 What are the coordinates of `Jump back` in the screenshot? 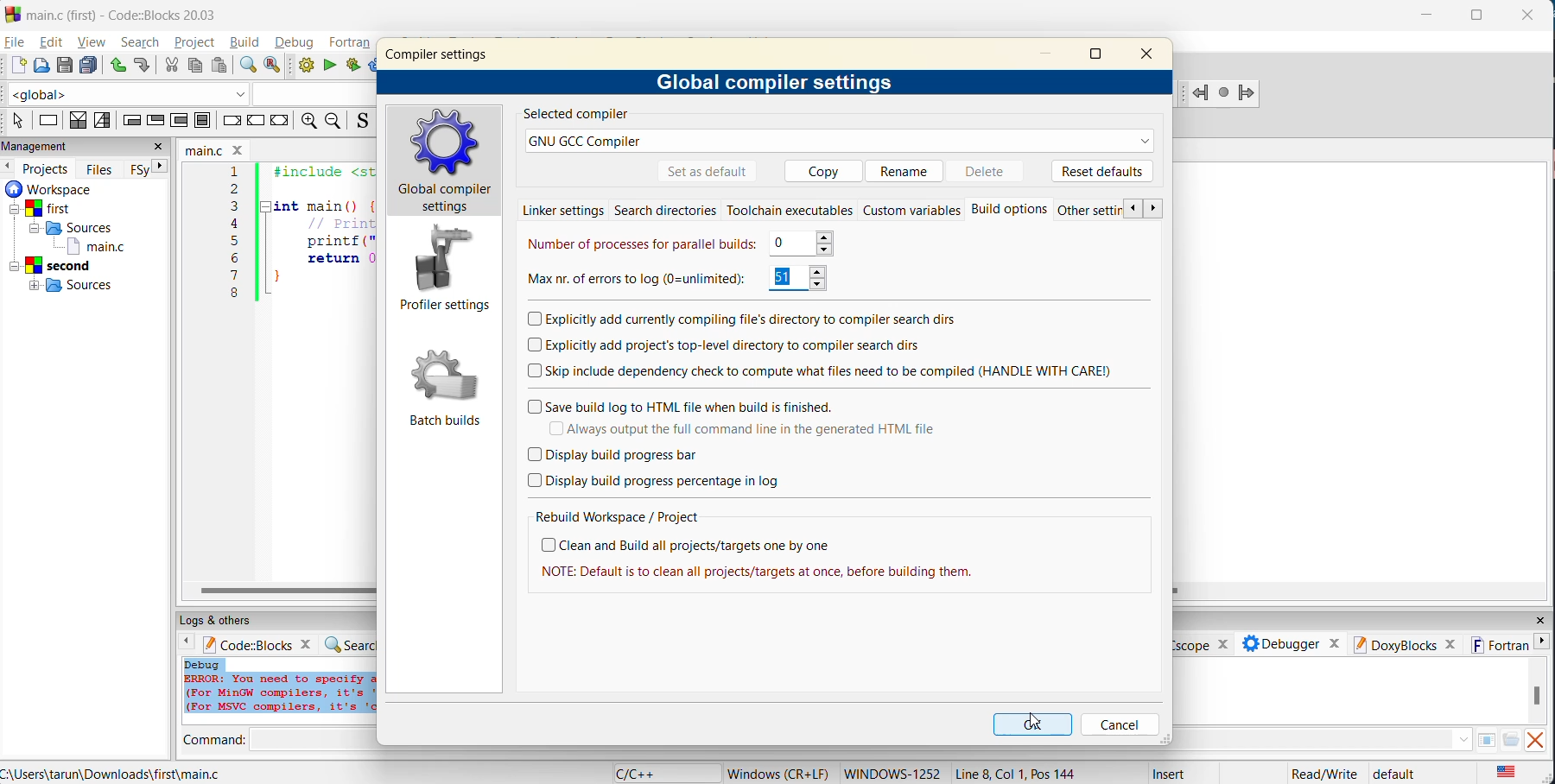 It's located at (1198, 93).